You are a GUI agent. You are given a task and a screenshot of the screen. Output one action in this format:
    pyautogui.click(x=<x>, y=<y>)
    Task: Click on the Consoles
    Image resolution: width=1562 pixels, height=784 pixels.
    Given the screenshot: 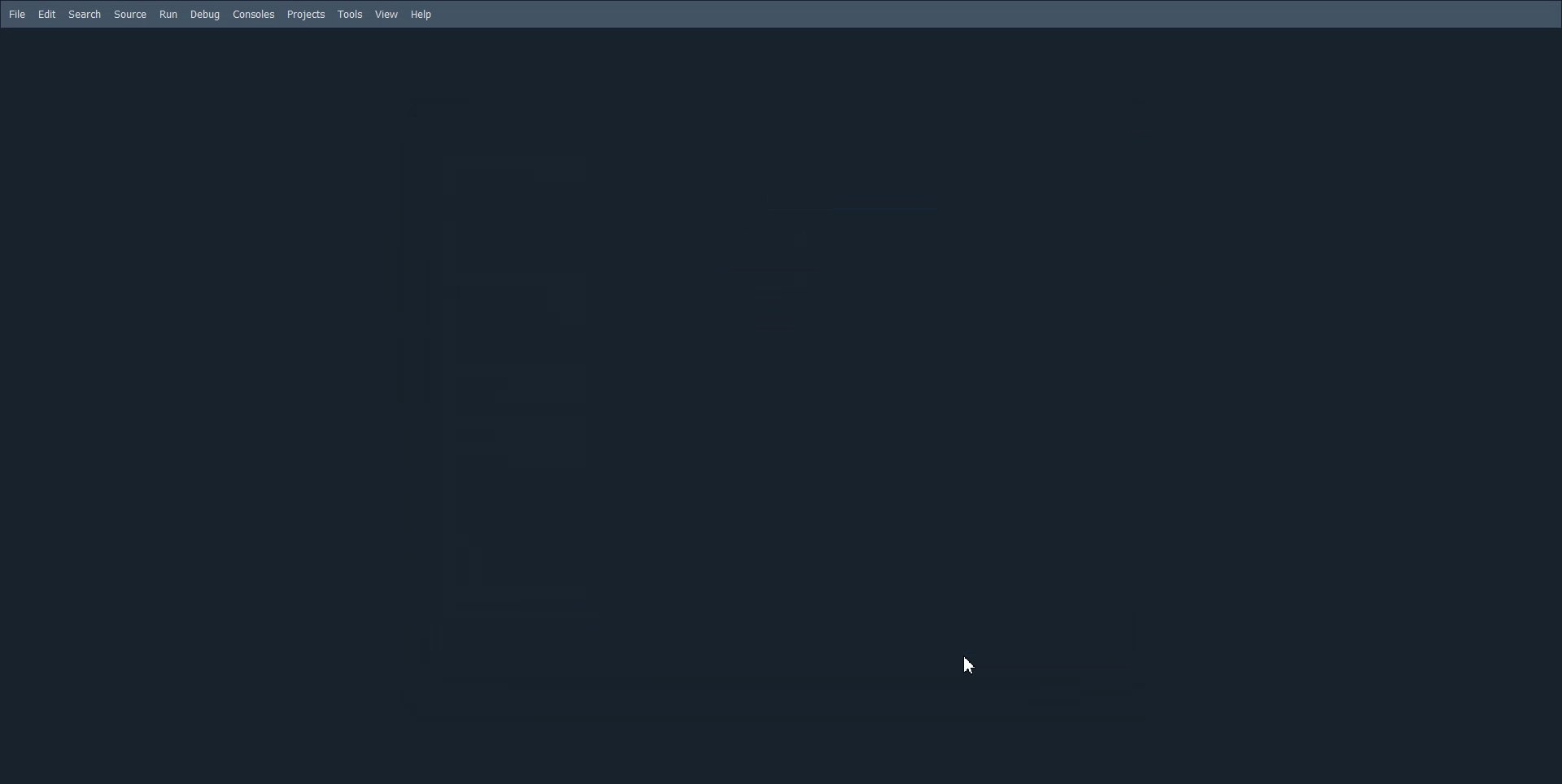 What is the action you would take?
    pyautogui.click(x=254, y=15)
    